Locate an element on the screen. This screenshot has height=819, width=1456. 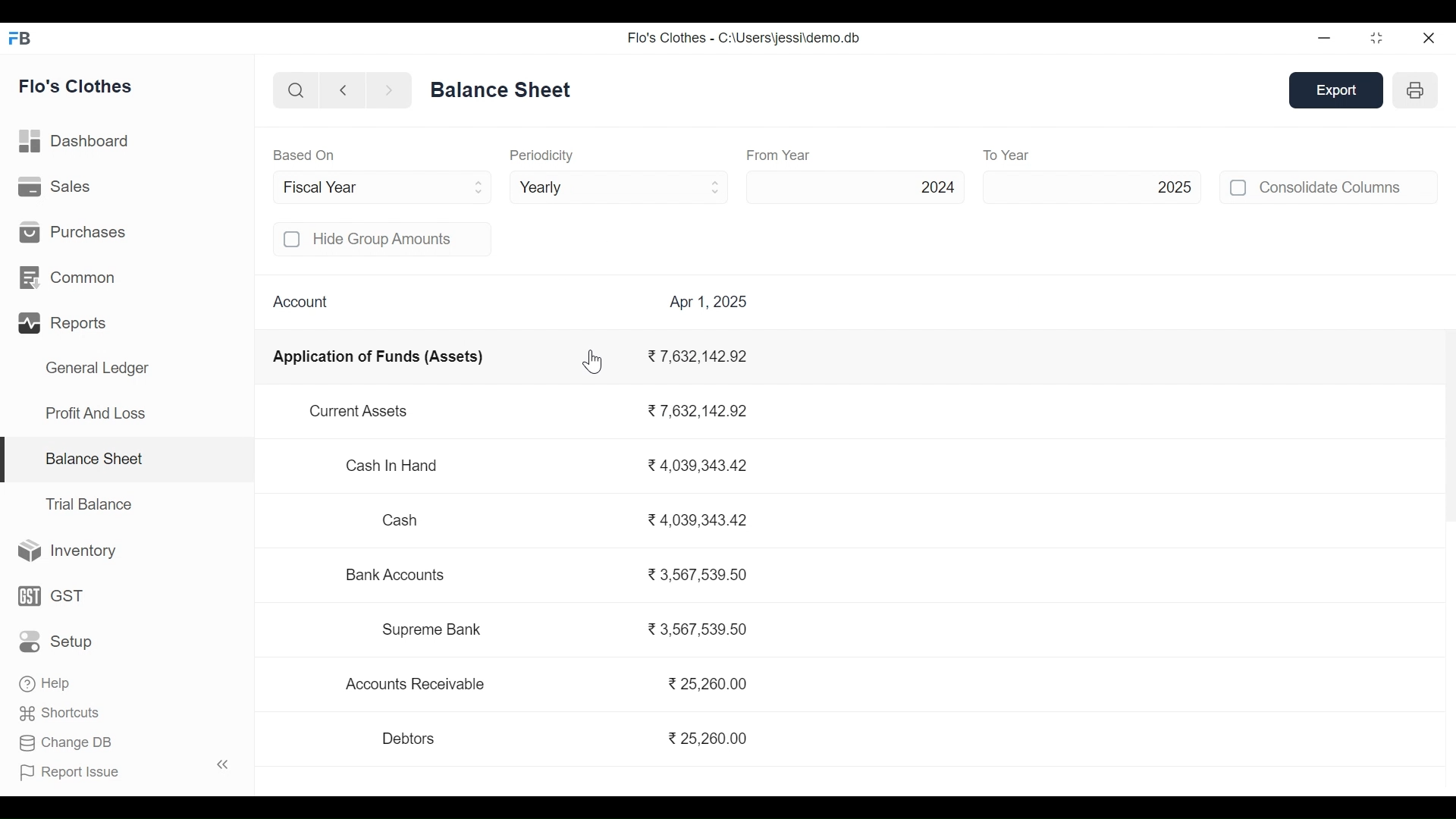
Application of Funds (Assets) 37,632,142.92 is located at coordinates (513, 359).